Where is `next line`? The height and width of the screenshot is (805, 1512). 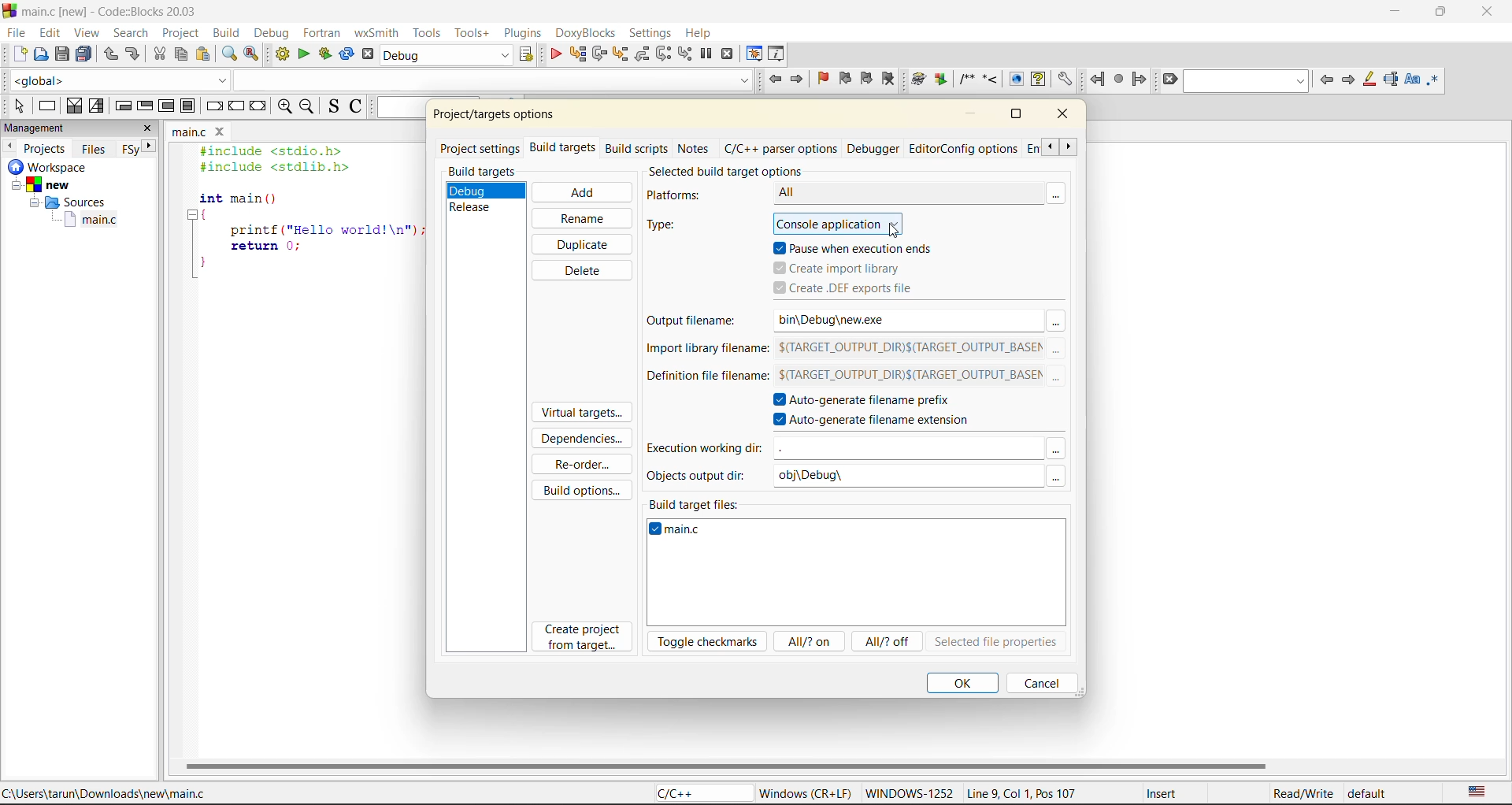
next line is located at coordinates (599, 53).